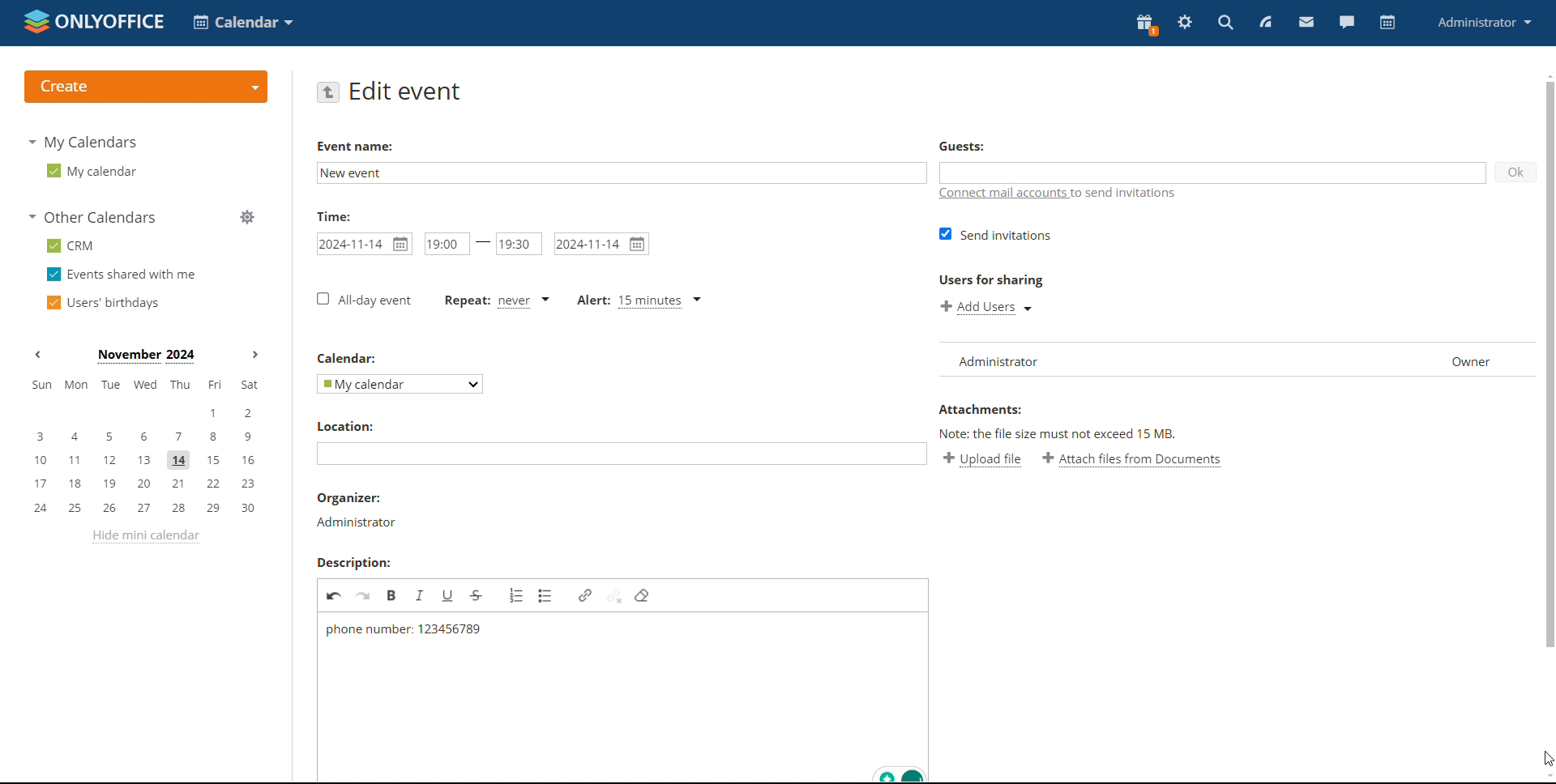 Image resolution: width=1556 pixels, height=784 pixels. What do you see at coordinates (1485, 22) in the screenshot?
I see `profile` at bounding box center [1485, 22].